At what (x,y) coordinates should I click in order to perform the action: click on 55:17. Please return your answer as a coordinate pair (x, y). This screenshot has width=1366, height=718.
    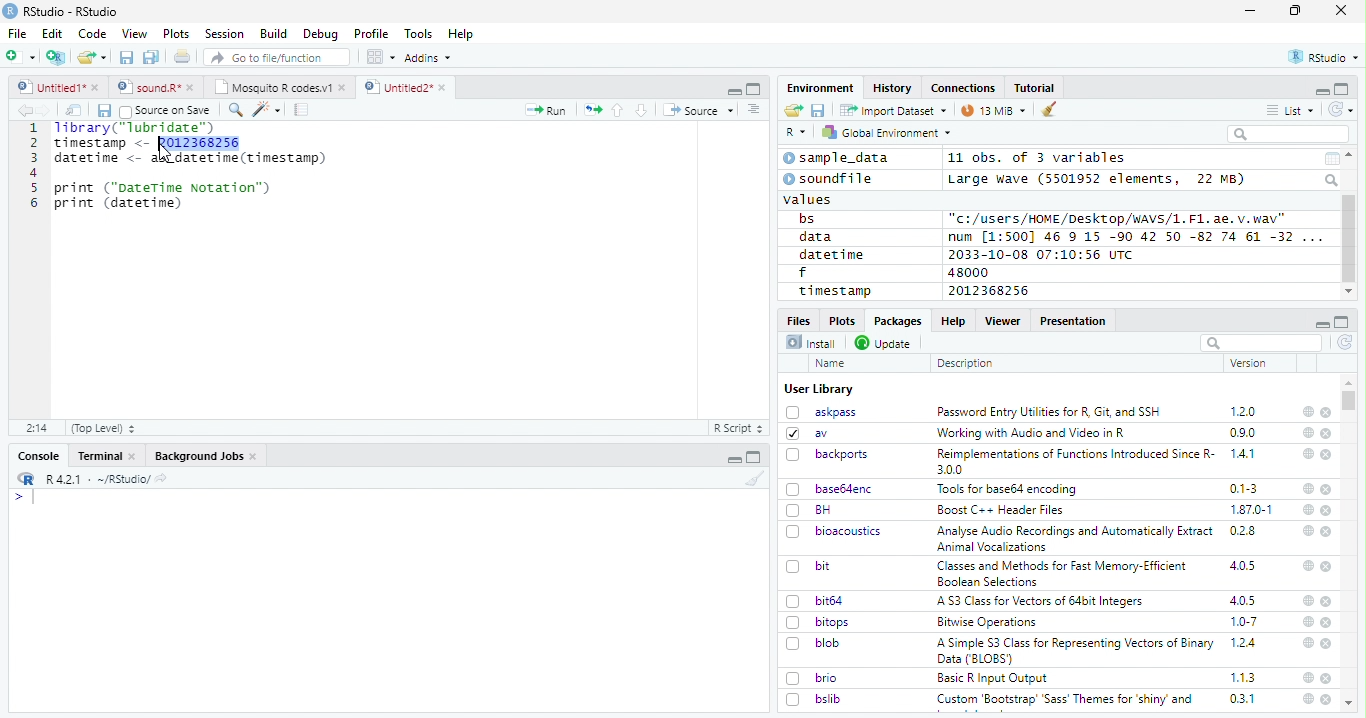
    Looking at the image, I should click on (38, 428).